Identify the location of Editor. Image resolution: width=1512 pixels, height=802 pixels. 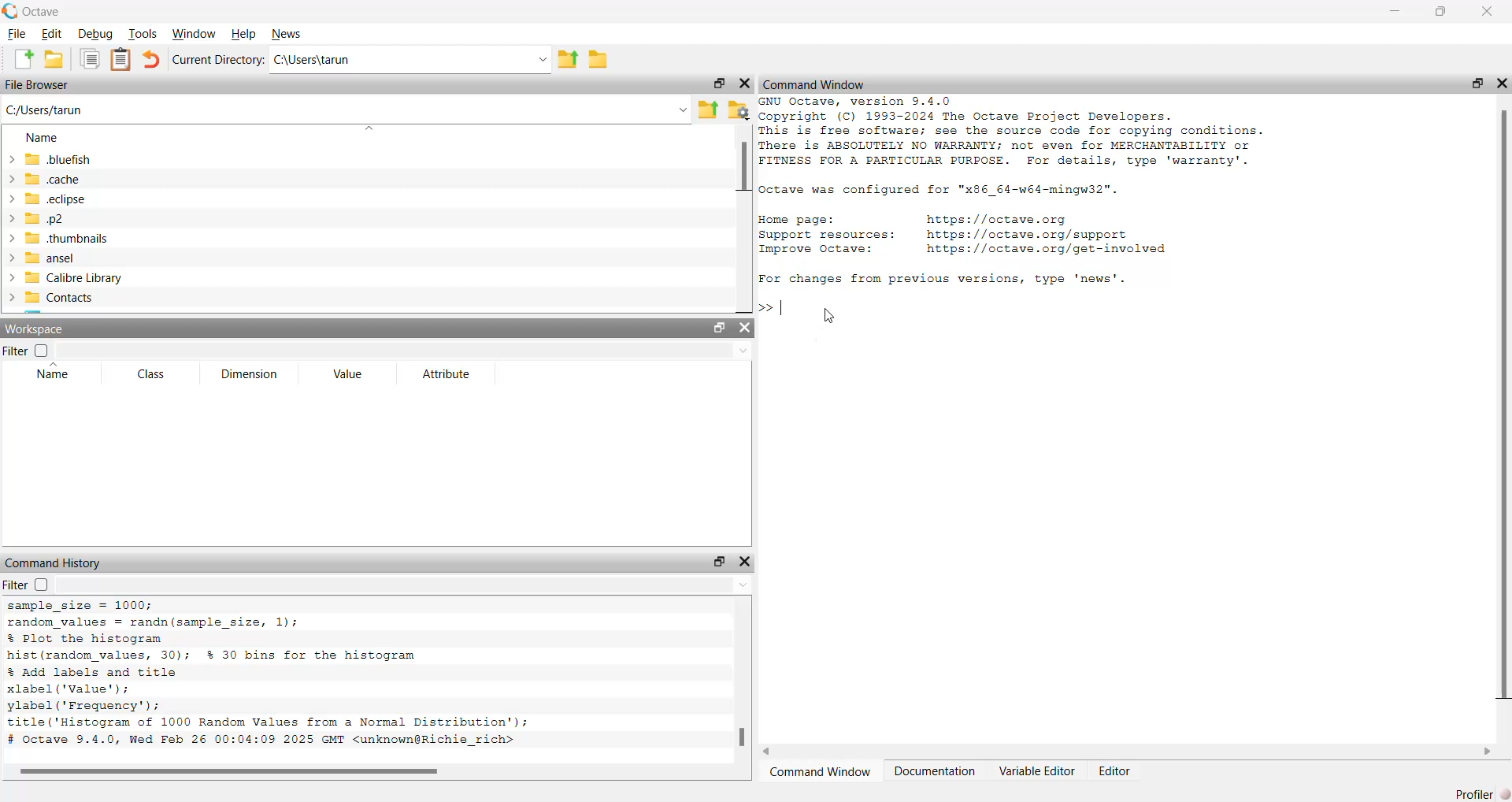
(1117, 770).